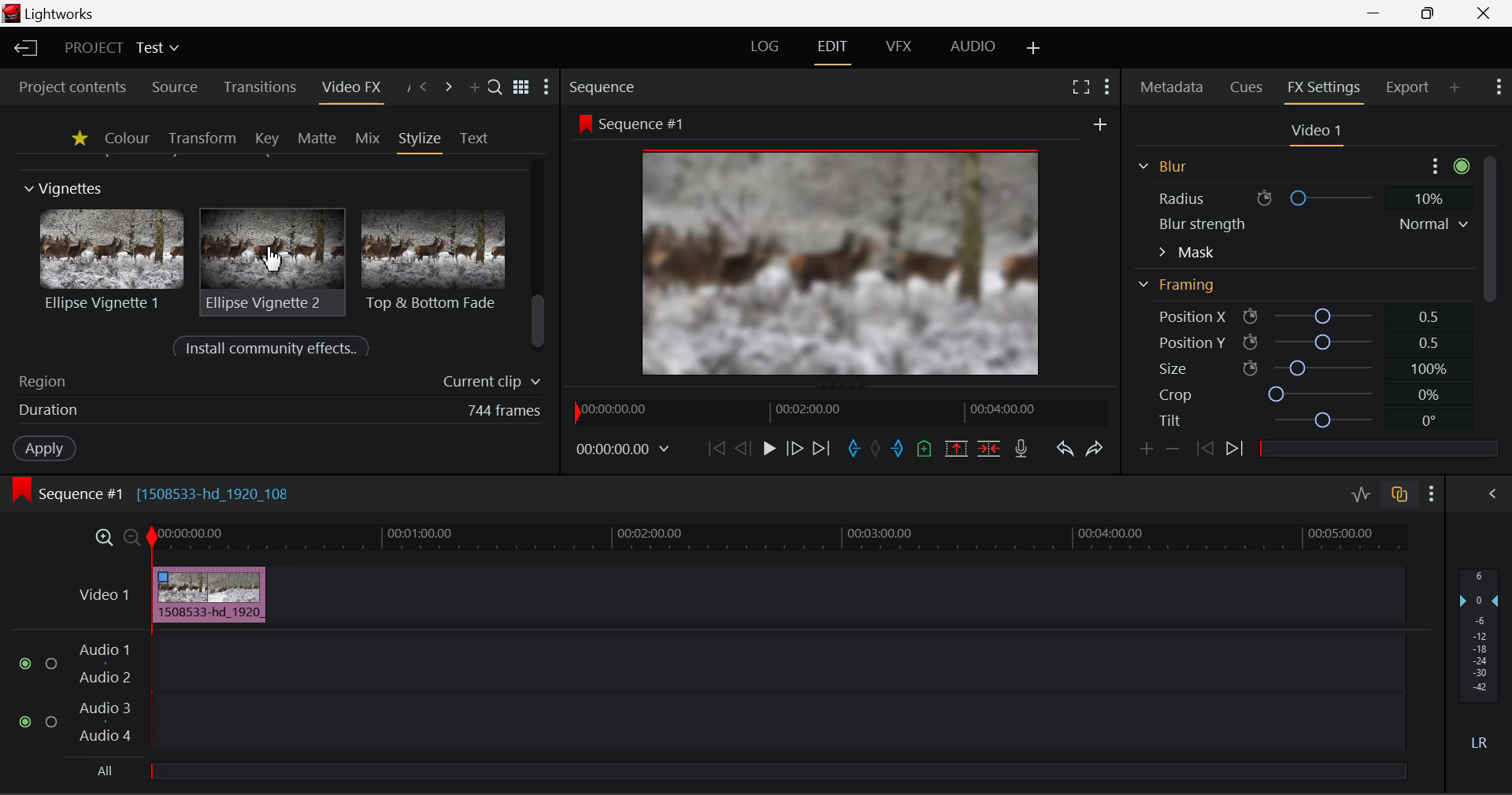 The width and height of the screenshot is (1512, 795). Describe the element at coordinates (696, 708) in the screenshot. I see `Audio Input Field` at that location.